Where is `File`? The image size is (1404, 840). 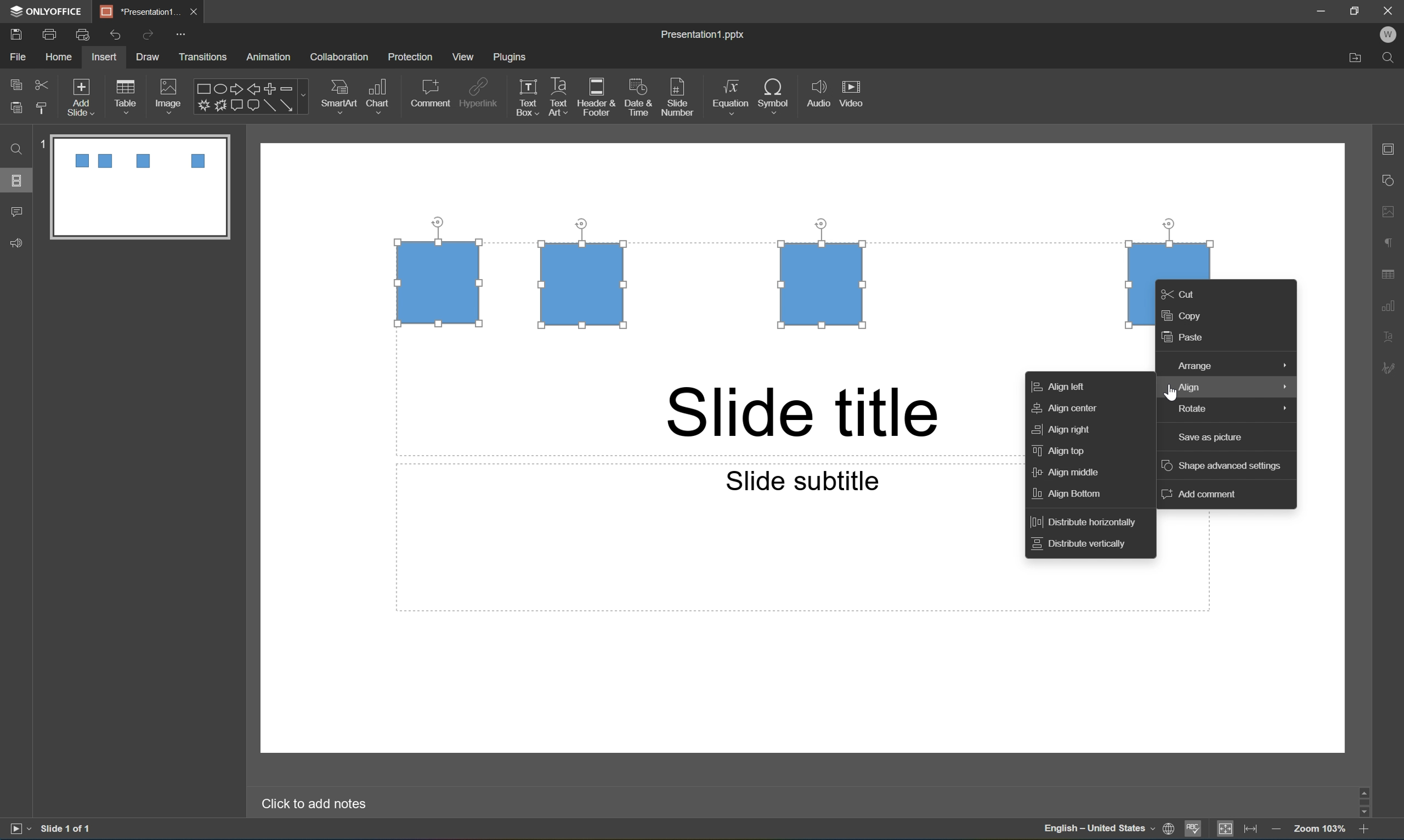 File is located at coordinates (20, 58).